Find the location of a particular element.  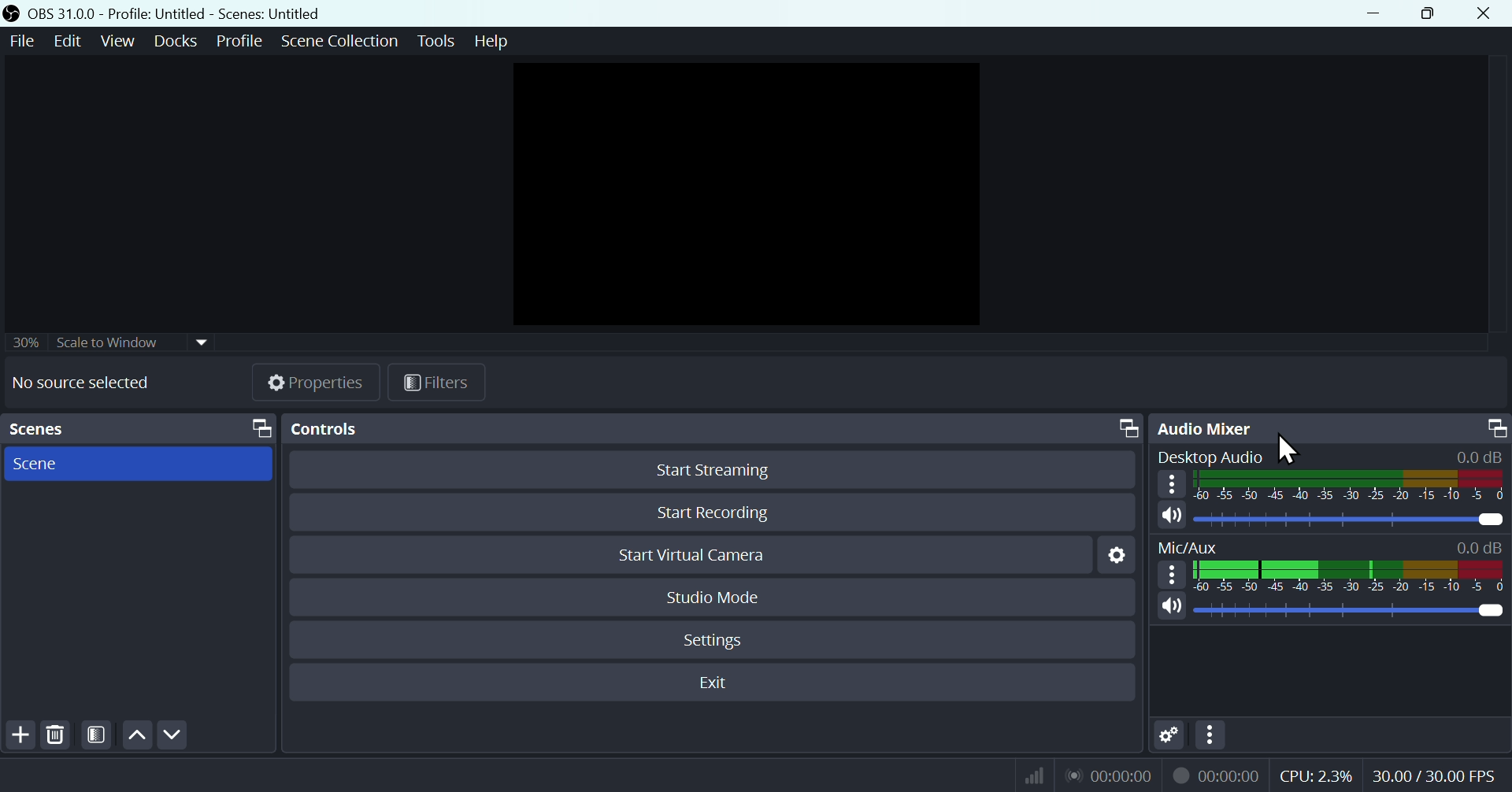

More options is located at coordinates (1170, 575).